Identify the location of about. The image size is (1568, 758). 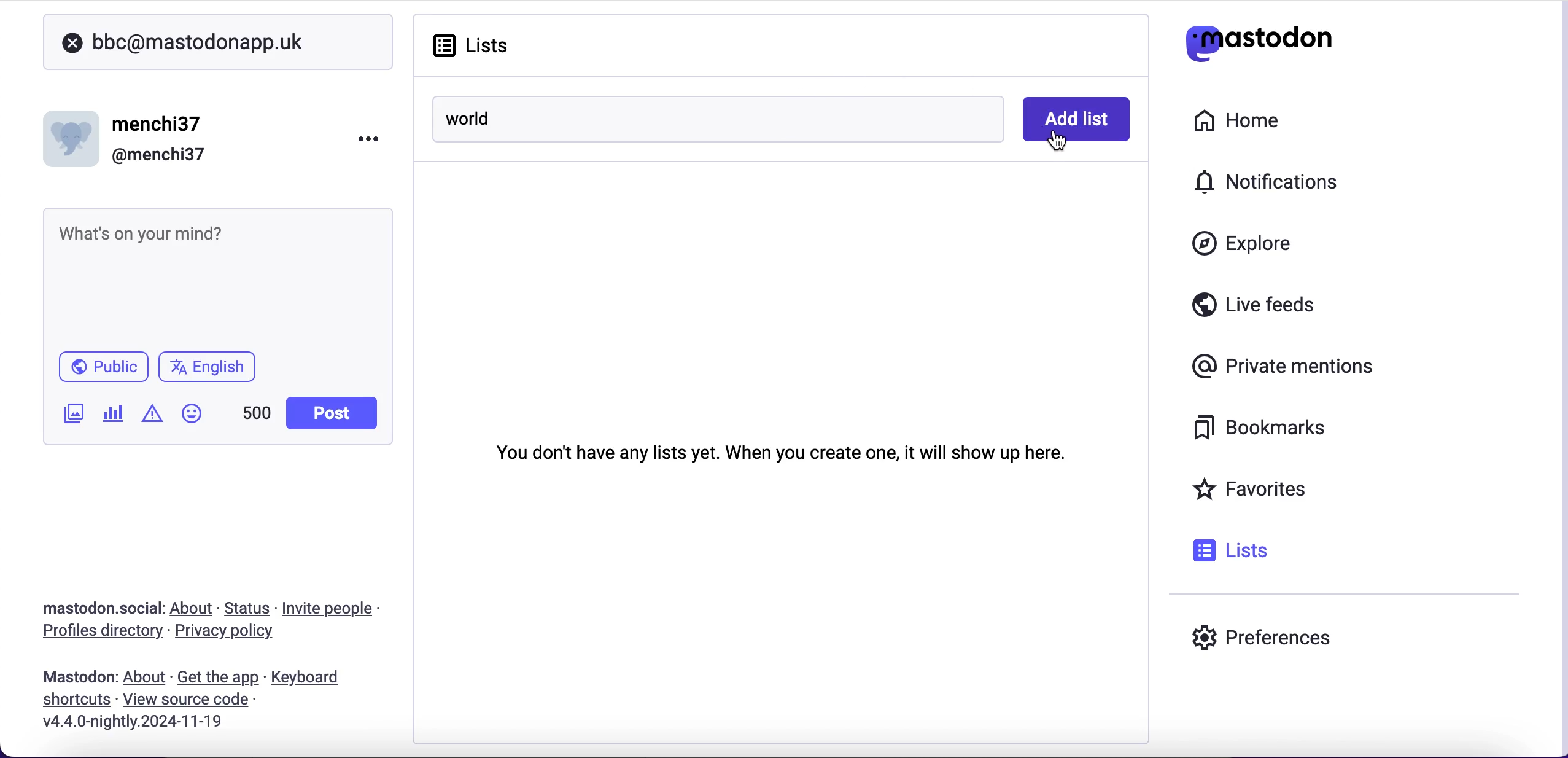
(147, 678).